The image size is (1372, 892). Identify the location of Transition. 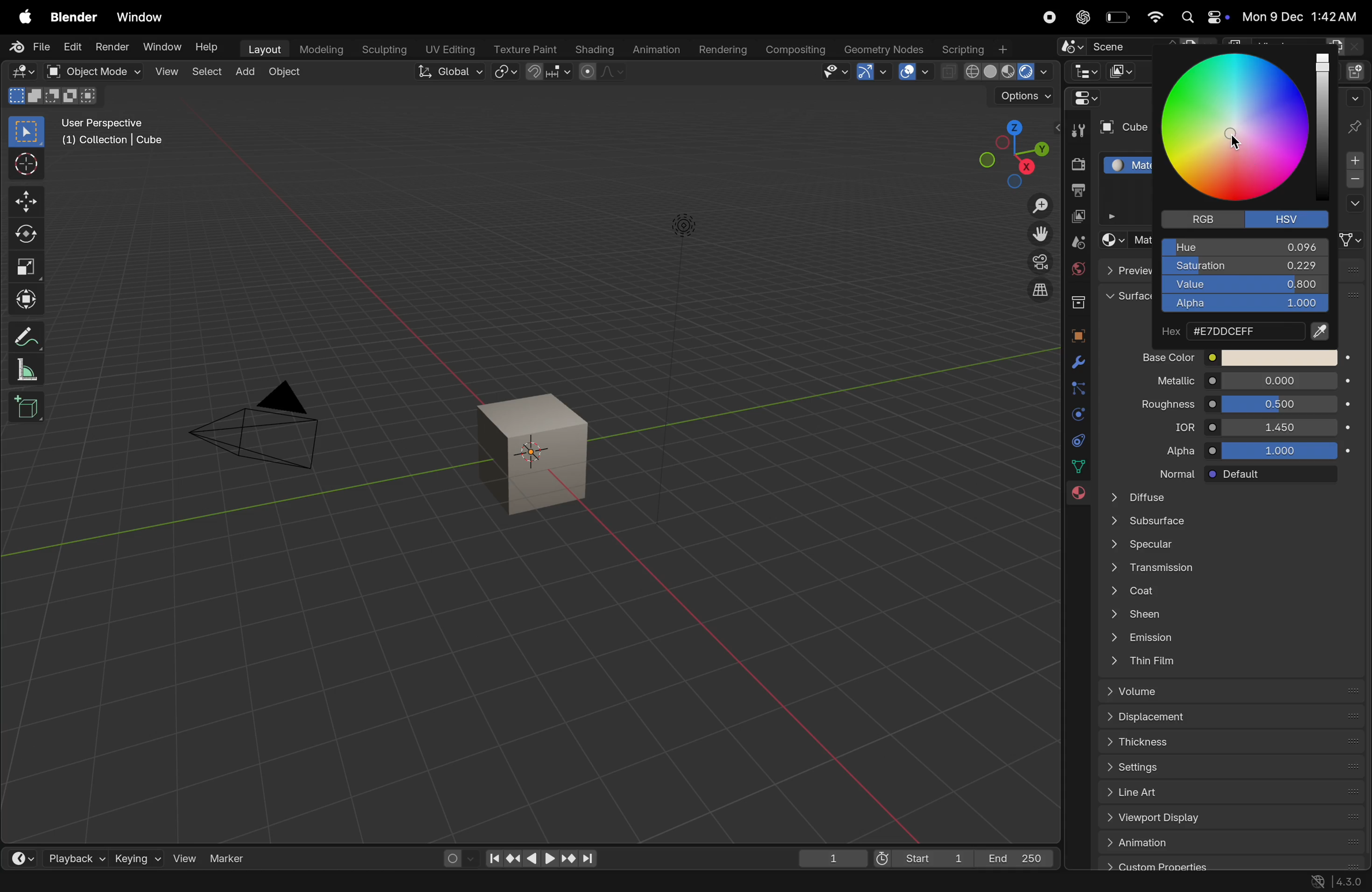
(1223, 570).